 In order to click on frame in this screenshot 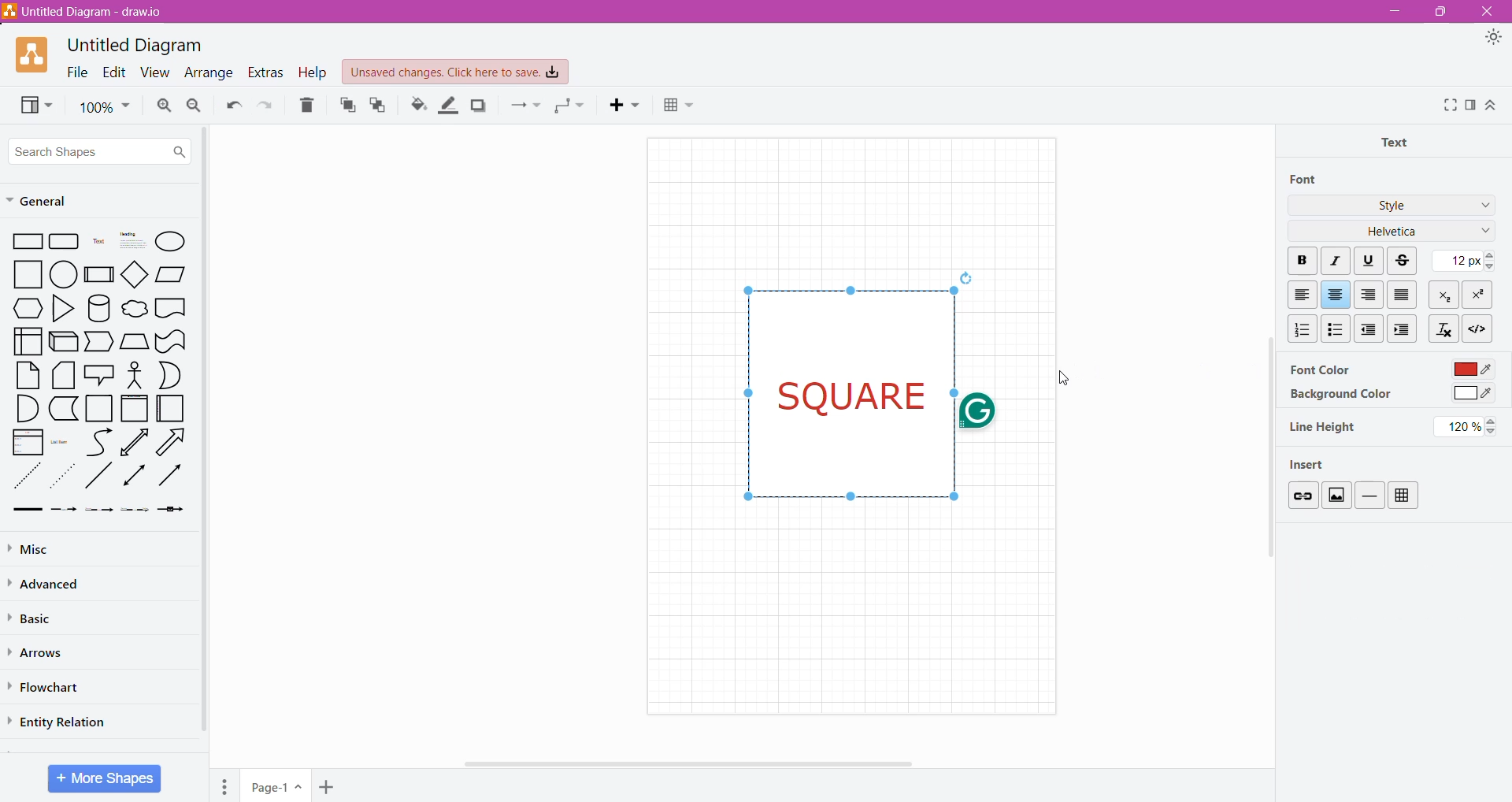, I will do `click(134, 408)`.